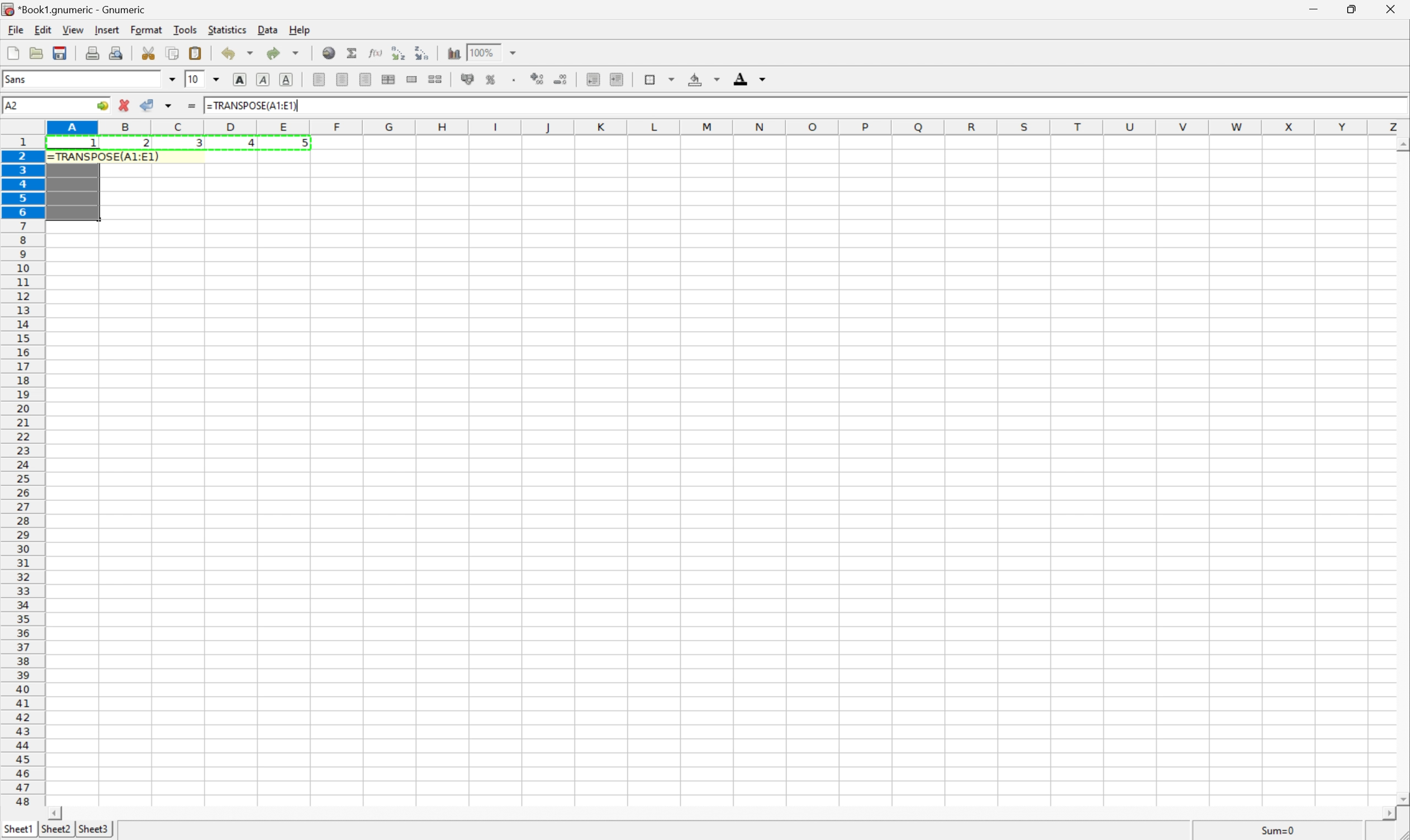  Describe the element at coordinates (1319, 10) in the screenshot. I see `minimize` at that location.